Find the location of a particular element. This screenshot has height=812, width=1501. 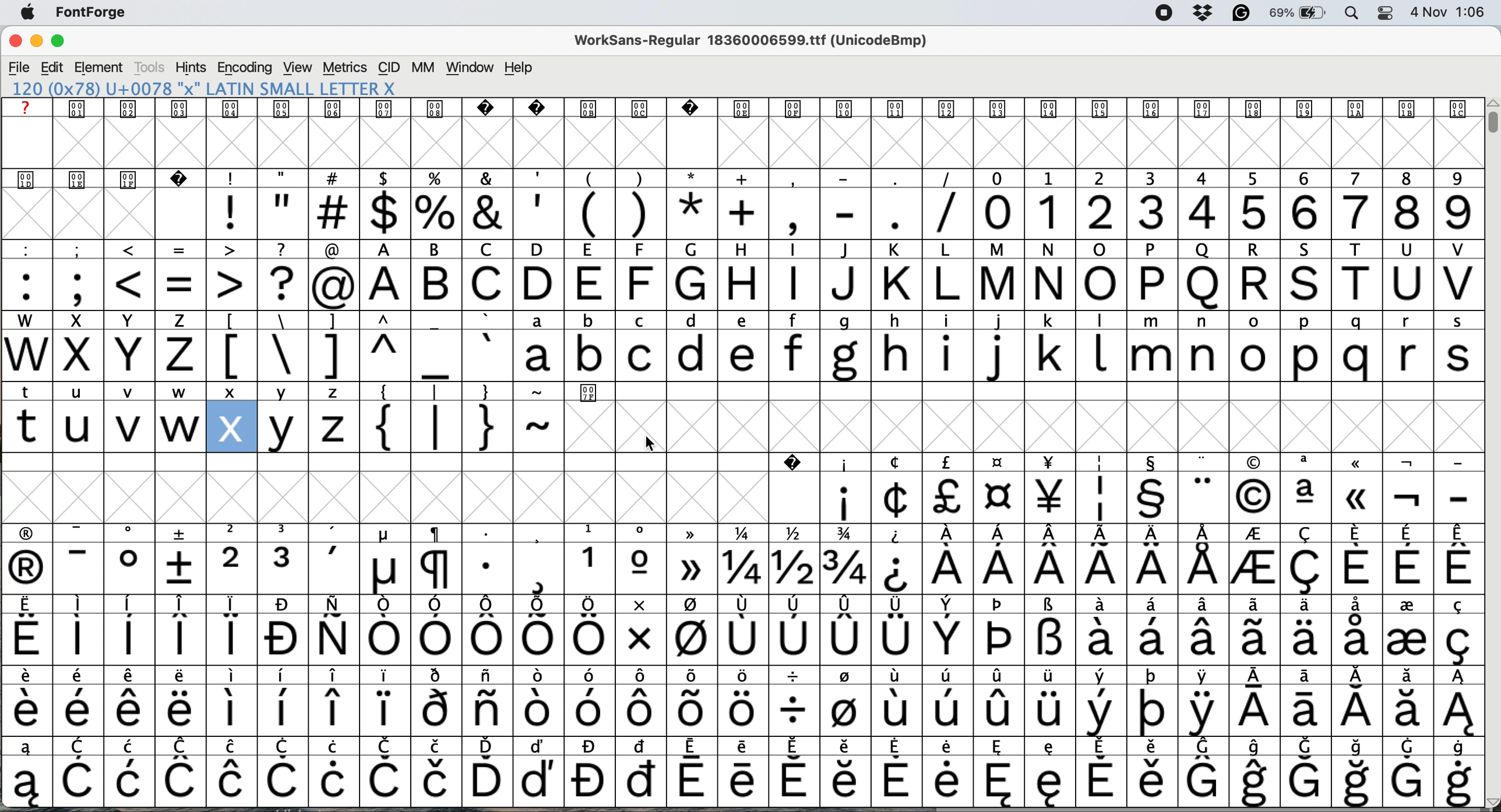

special characters is located at coordinates (740, 606).